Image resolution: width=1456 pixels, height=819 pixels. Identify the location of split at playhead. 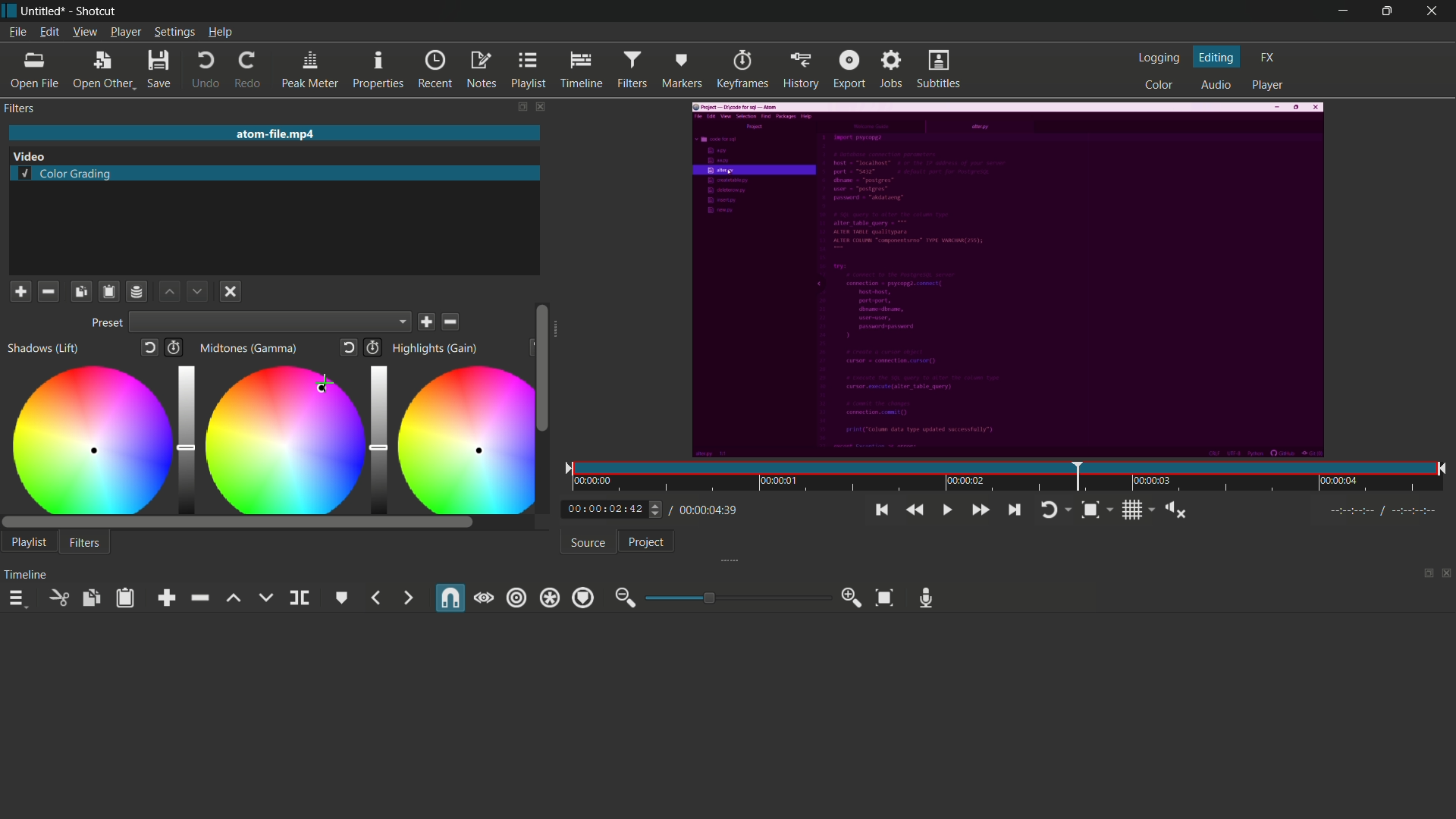
(300, 598).